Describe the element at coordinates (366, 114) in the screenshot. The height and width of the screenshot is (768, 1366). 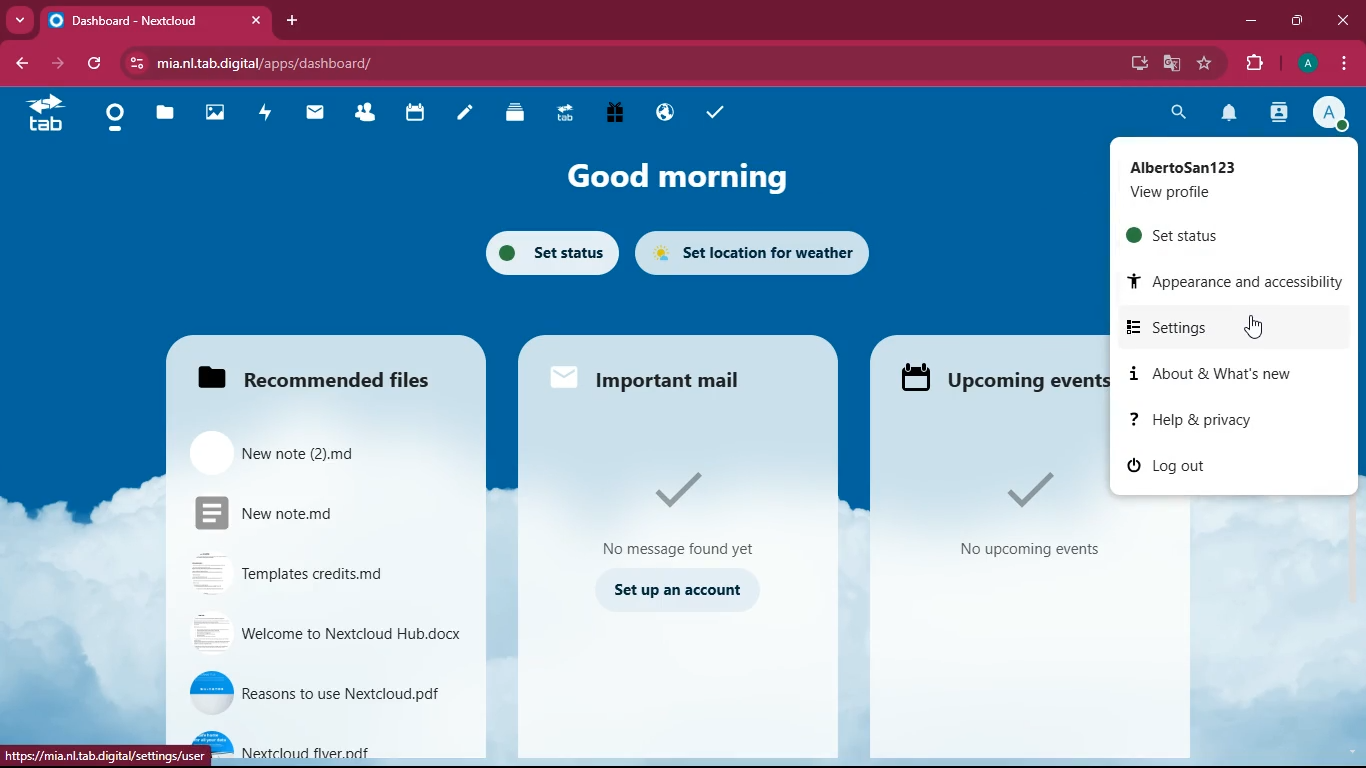
I see `Contacts` at that location.